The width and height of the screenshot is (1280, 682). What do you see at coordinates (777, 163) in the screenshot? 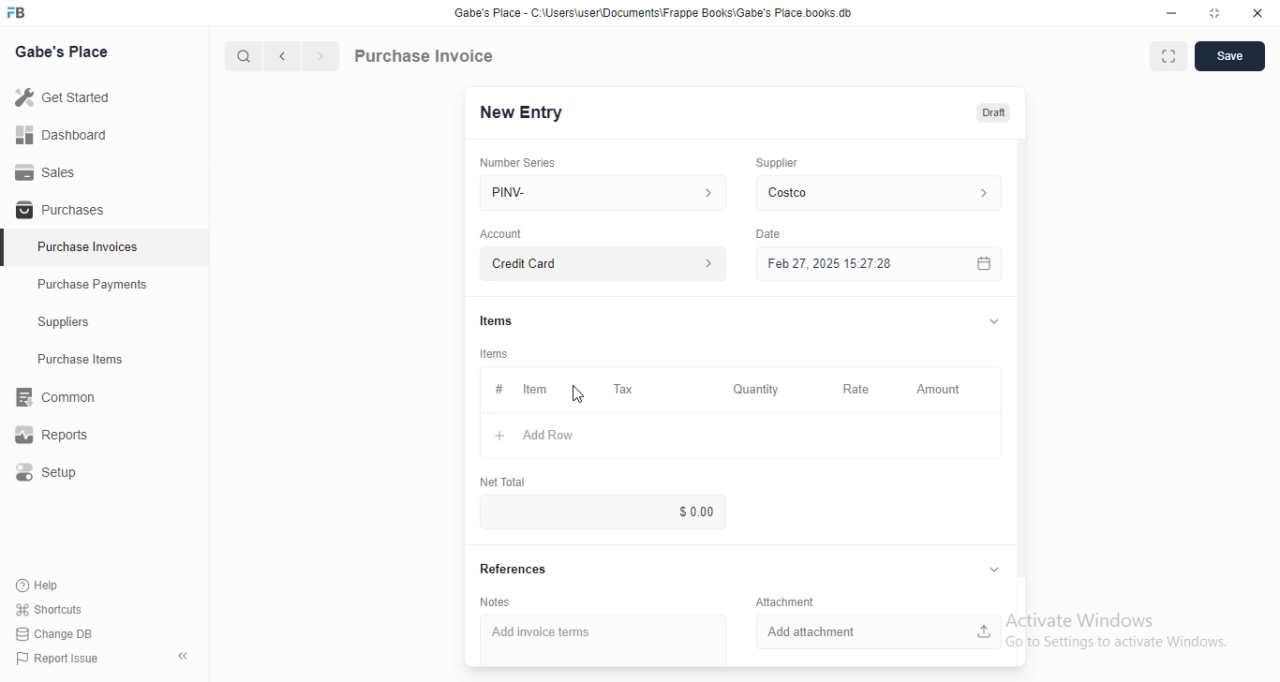
I see `Supplier` at bounding box center [777, 163].